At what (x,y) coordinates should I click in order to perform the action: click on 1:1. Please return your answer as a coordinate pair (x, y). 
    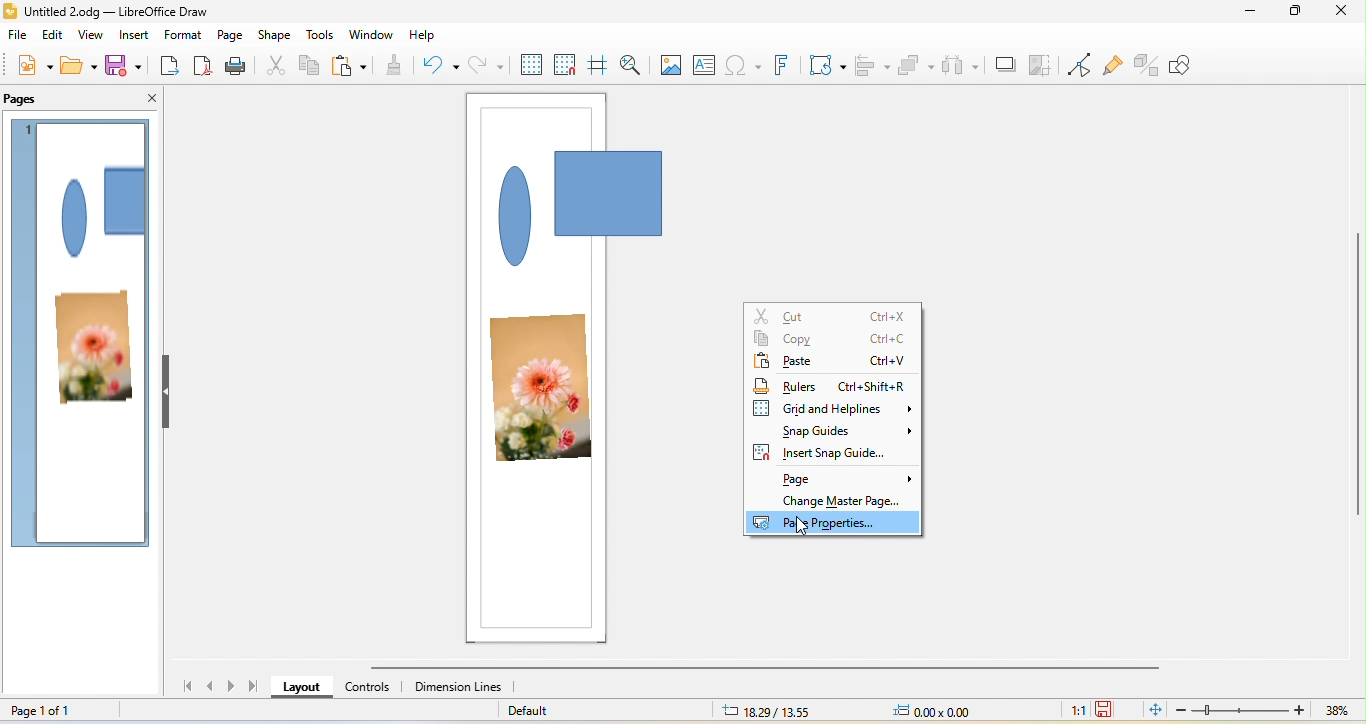
    Looking at the image, I should click on (1074, 711).